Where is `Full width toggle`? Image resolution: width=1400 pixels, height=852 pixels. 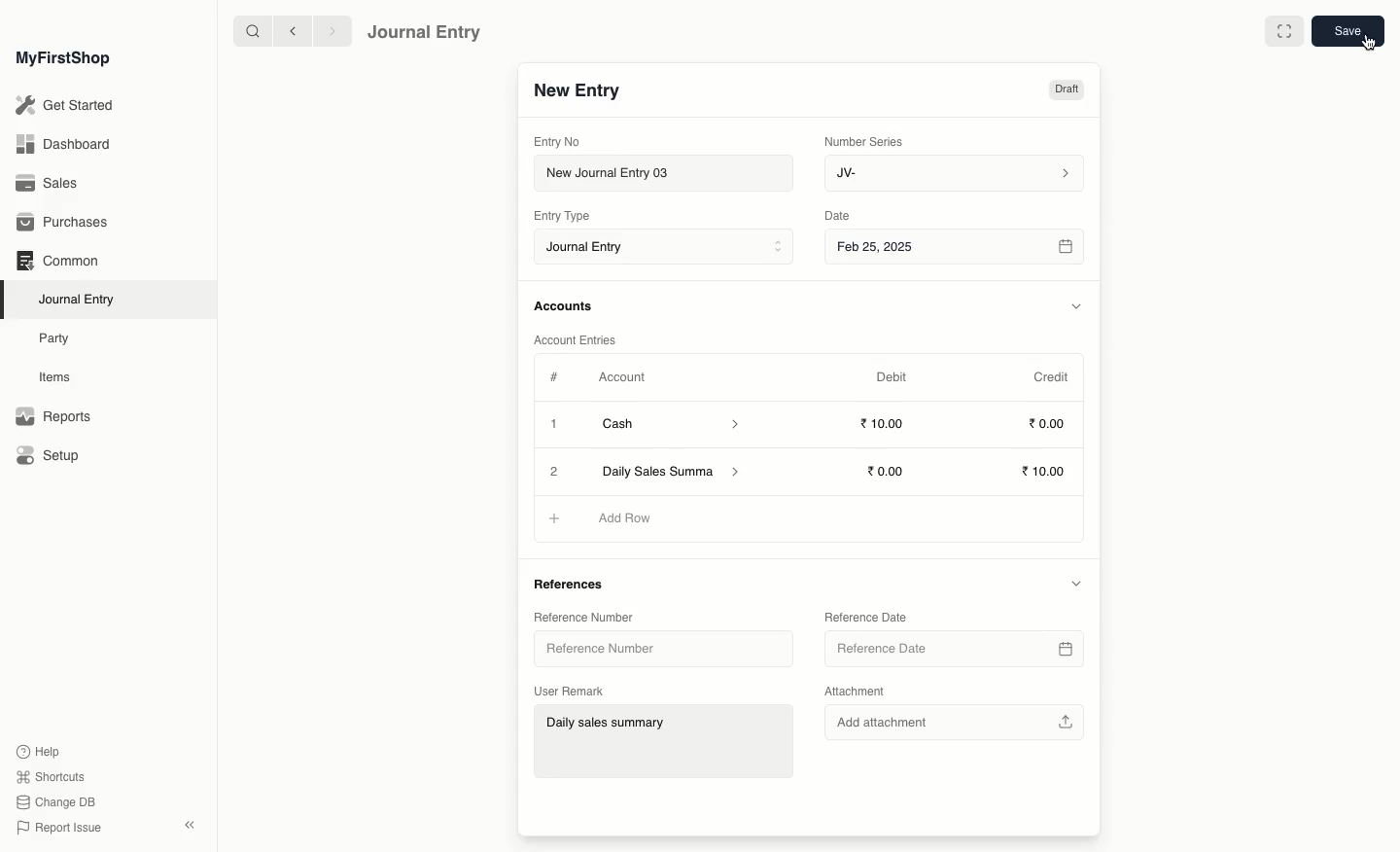
Full width toggle is located at coordinates (1282, 32).